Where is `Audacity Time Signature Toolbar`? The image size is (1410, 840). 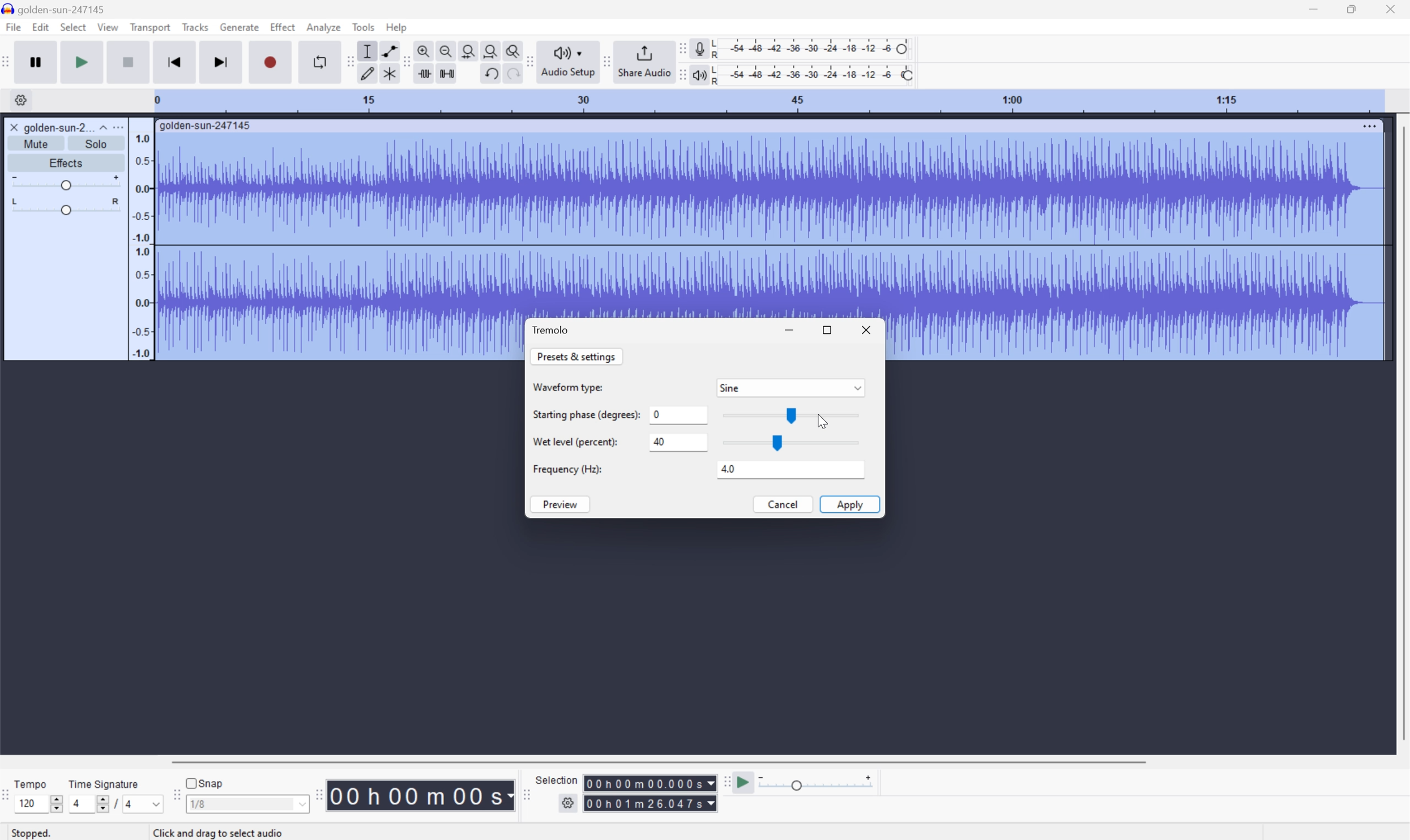
Audacity Time Signature Toolbar is located at coordinates (9, 798).